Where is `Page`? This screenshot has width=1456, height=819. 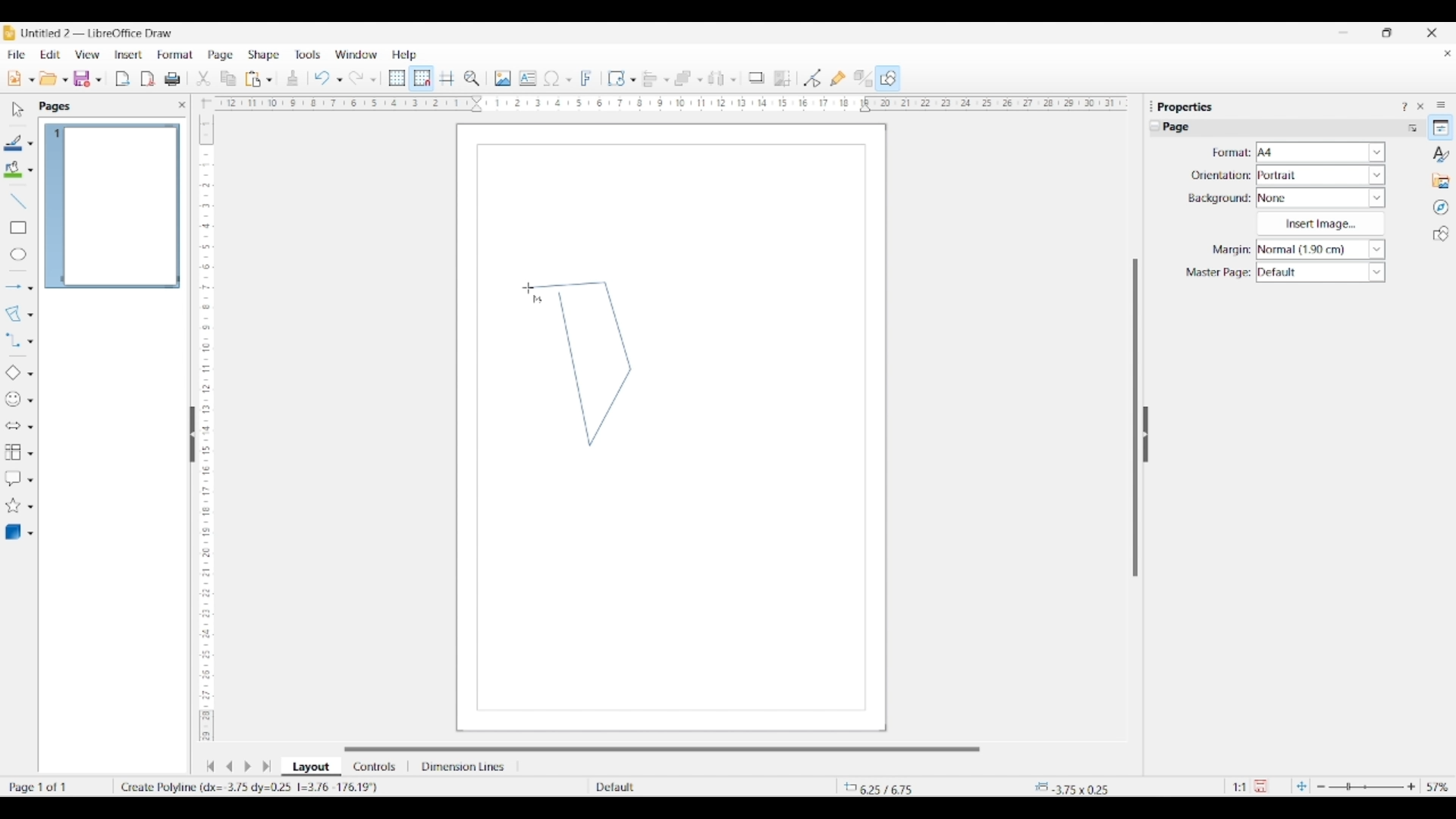 Page is located at coordinates (221, 56).